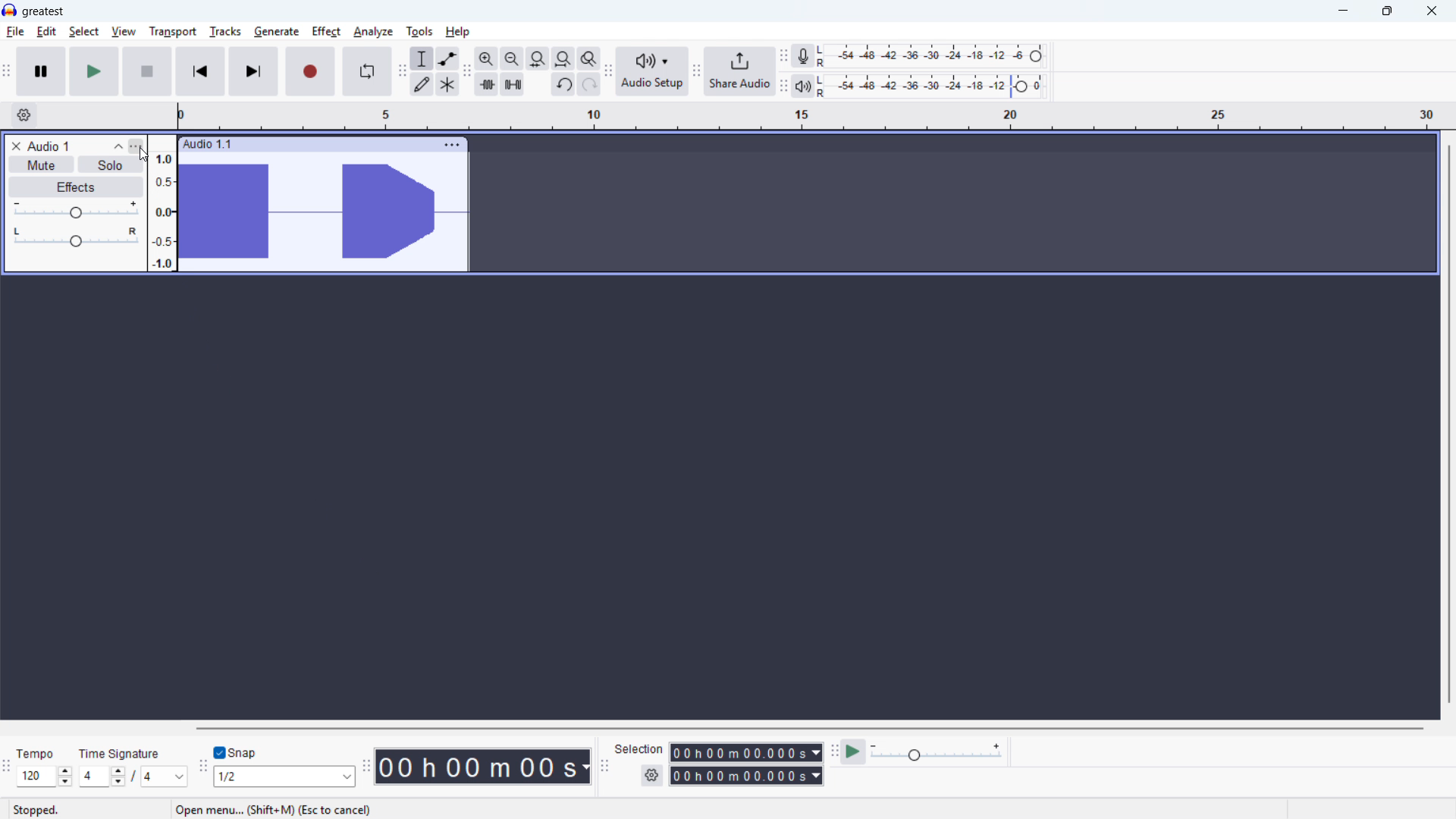 The image size is (1456, 819). I want to click on Enable looping , so click(366, 72).